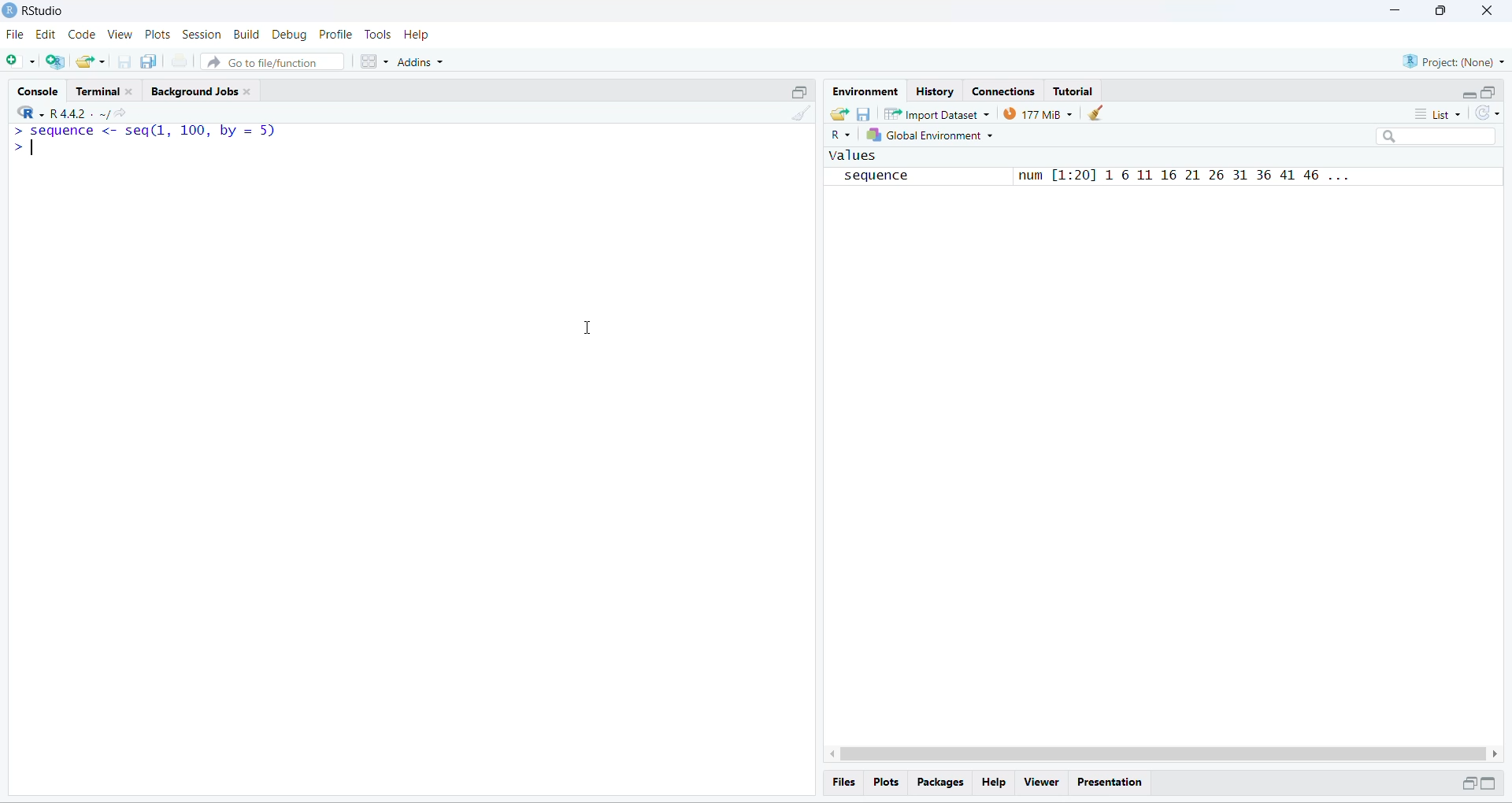 The height and width of the screenshot is (803, 1512). I want to click on Connections , so click(1008, 92).